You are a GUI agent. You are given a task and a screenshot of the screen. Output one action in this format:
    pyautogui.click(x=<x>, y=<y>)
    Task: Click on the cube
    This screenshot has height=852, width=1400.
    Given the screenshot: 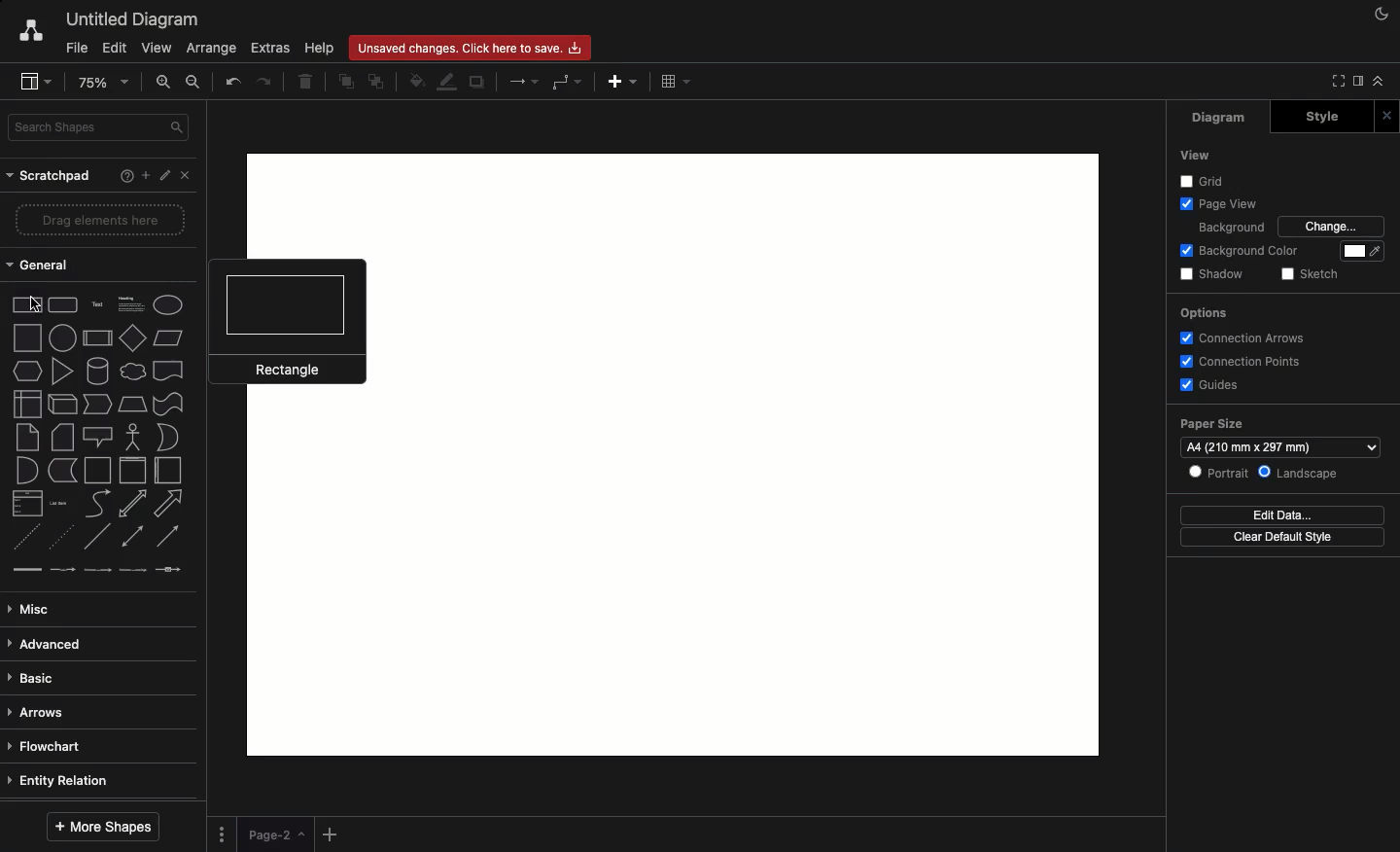 What is the action you would take?
    pyautogui.click(x=59, y=403)
    